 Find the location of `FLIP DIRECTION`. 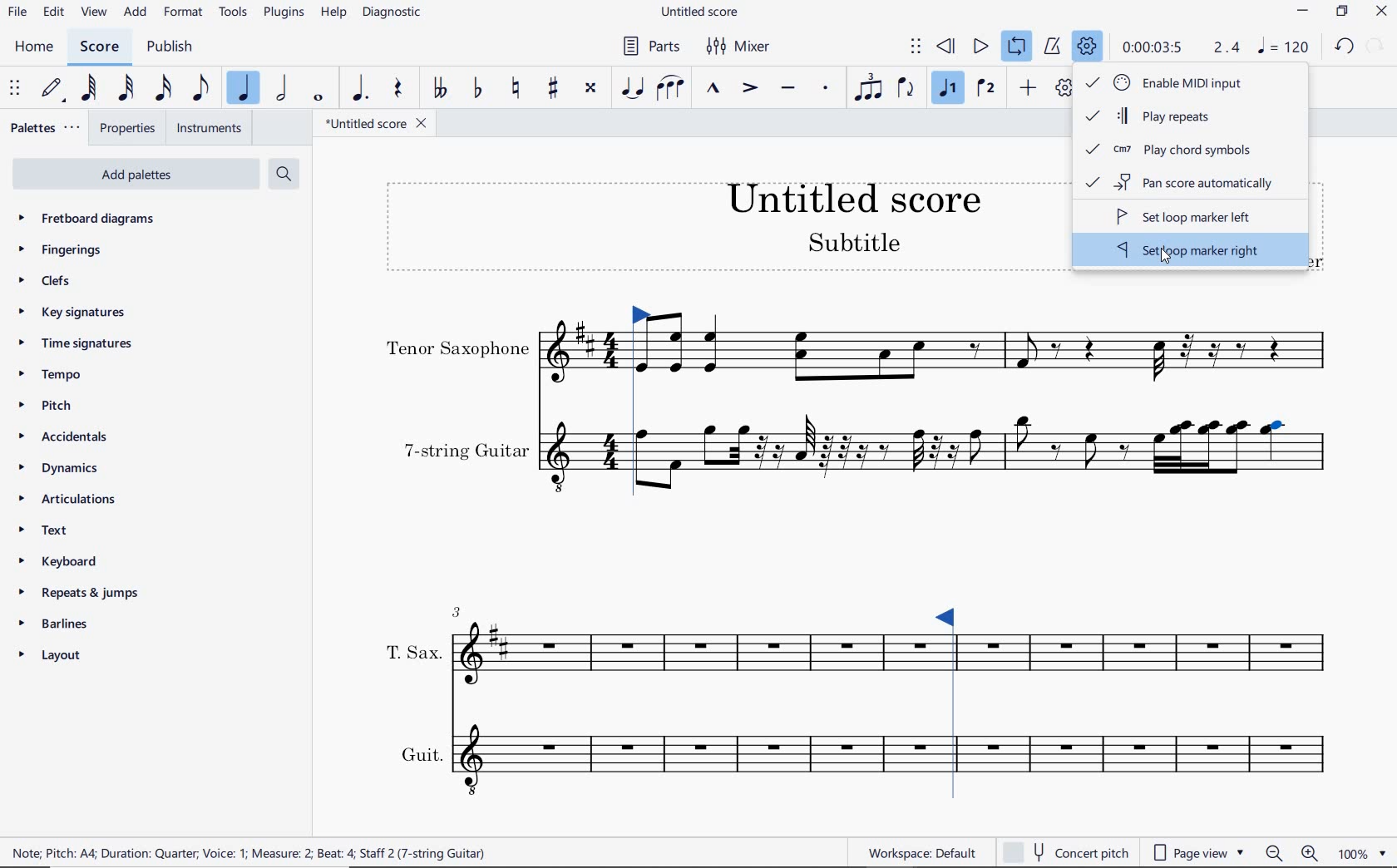

FLIP DIRECTION is located at coordinates (906, 89).